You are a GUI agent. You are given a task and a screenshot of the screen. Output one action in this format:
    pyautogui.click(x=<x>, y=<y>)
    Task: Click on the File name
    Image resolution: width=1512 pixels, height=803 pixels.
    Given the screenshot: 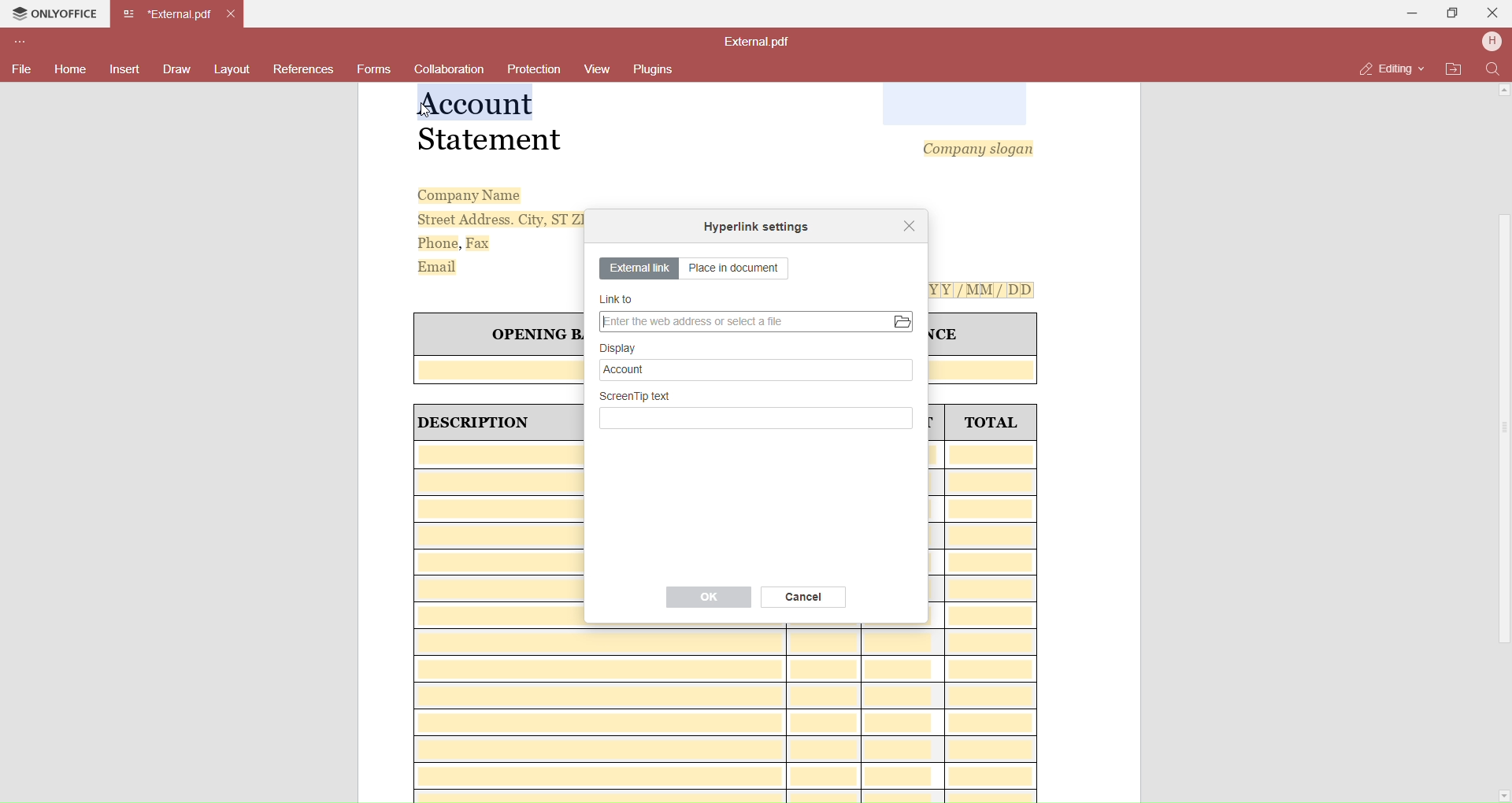 What is the action you would take?
    pyautogui.click(x=759, y=42)
    